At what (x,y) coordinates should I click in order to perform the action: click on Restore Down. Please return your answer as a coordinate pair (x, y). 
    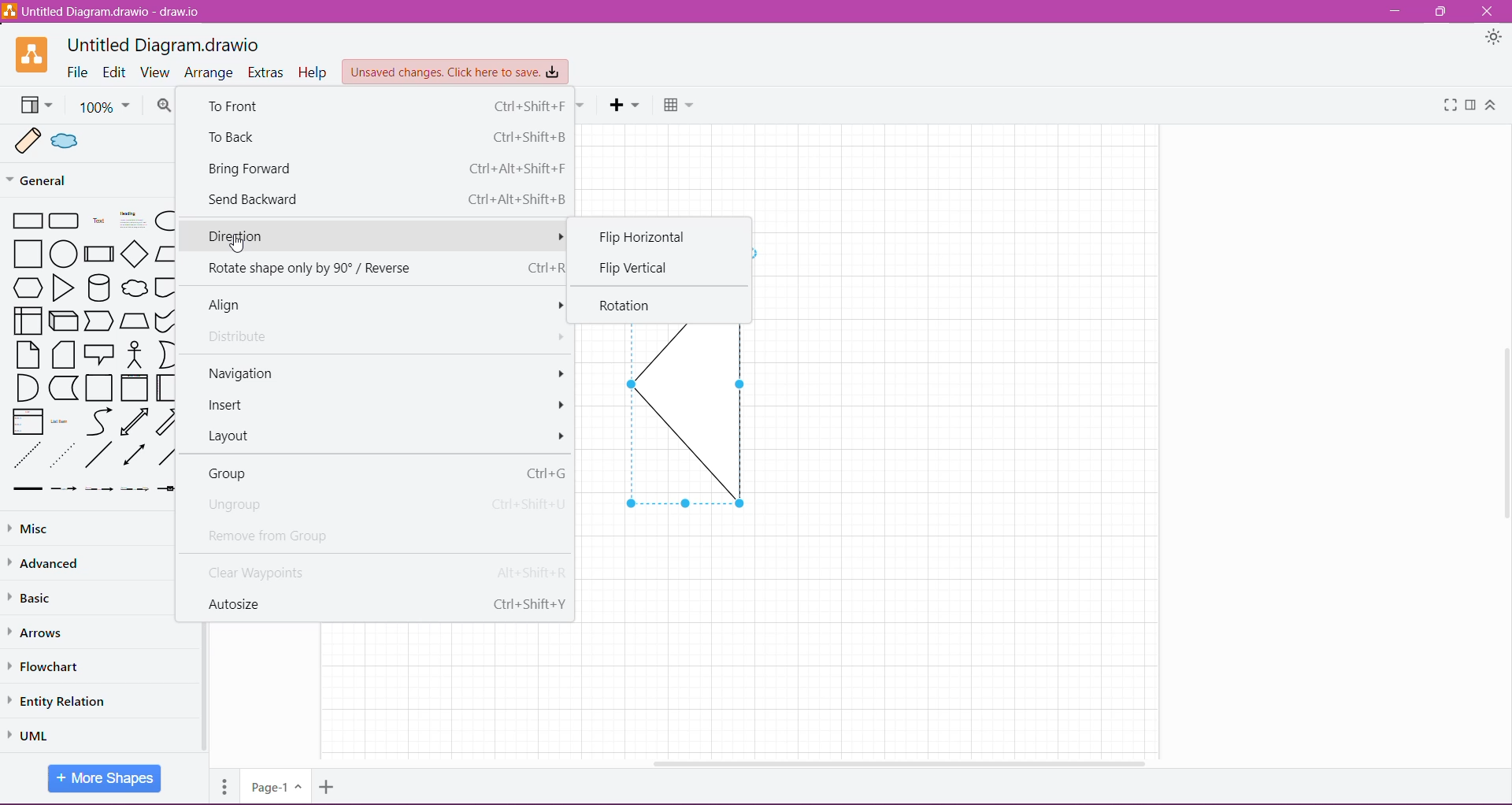
    Looking at the image, I should click on (1443, 11).